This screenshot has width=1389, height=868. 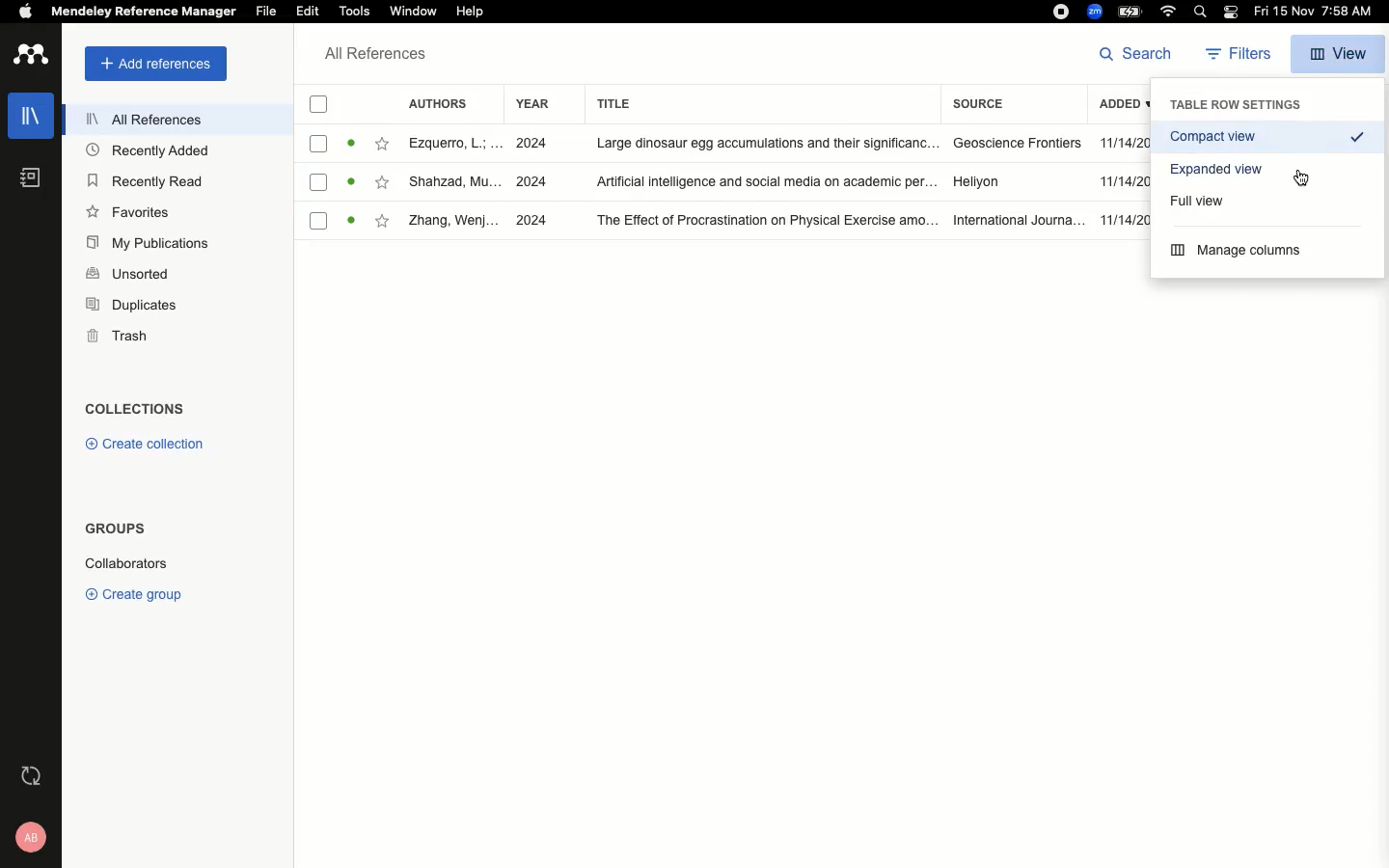 What do you see at coordinates (381, 144) in the screenshot?
I see `Favorites` at bounding box center [381, 144].